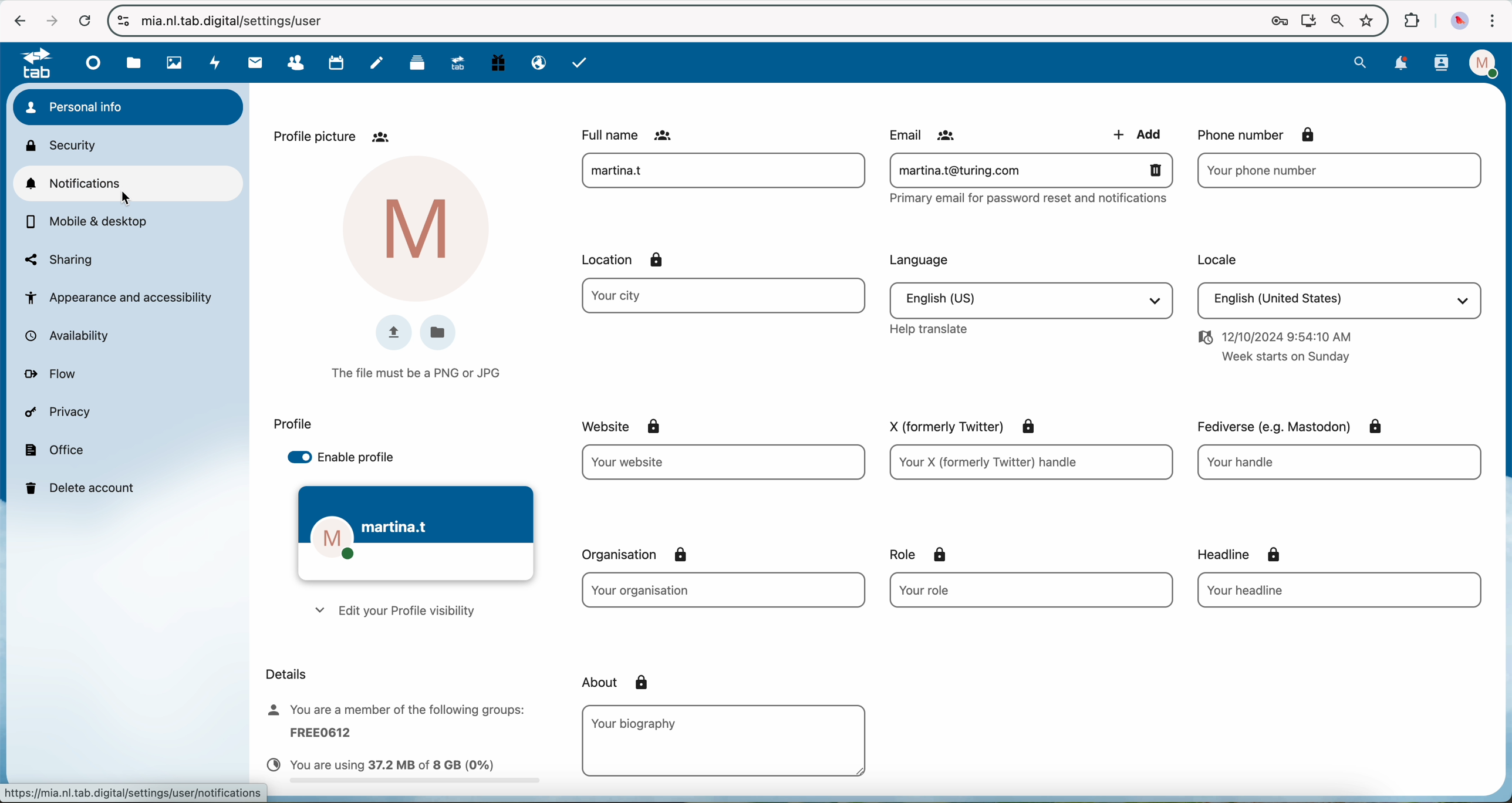 The image size is (1512, 803). What do you see at coordinates (31, 65) in the screenshot?
I see `tab logo` at bounding box center [31, 65].